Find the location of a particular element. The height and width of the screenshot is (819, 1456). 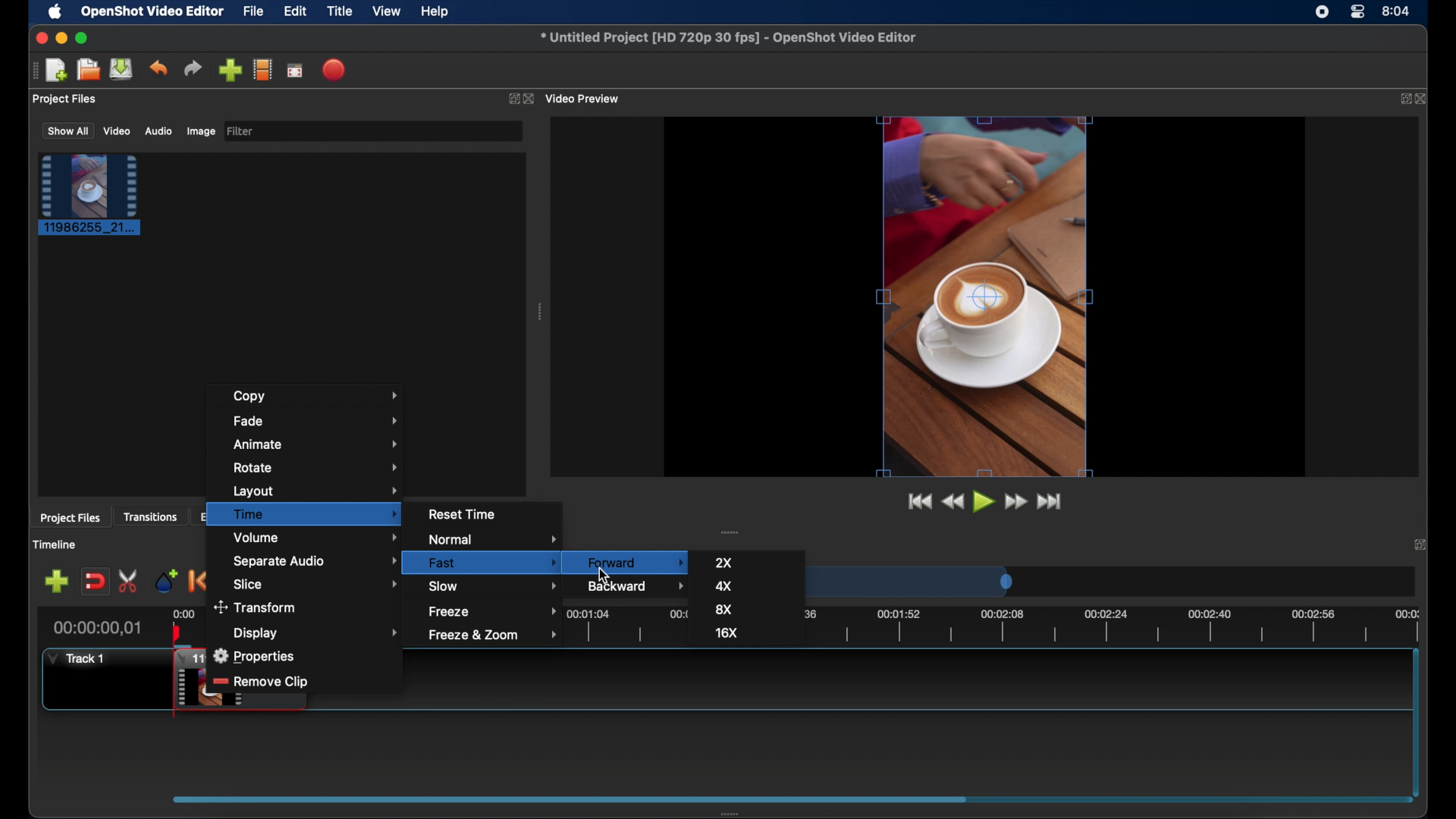

maximize is located at coordinates (83, 38).